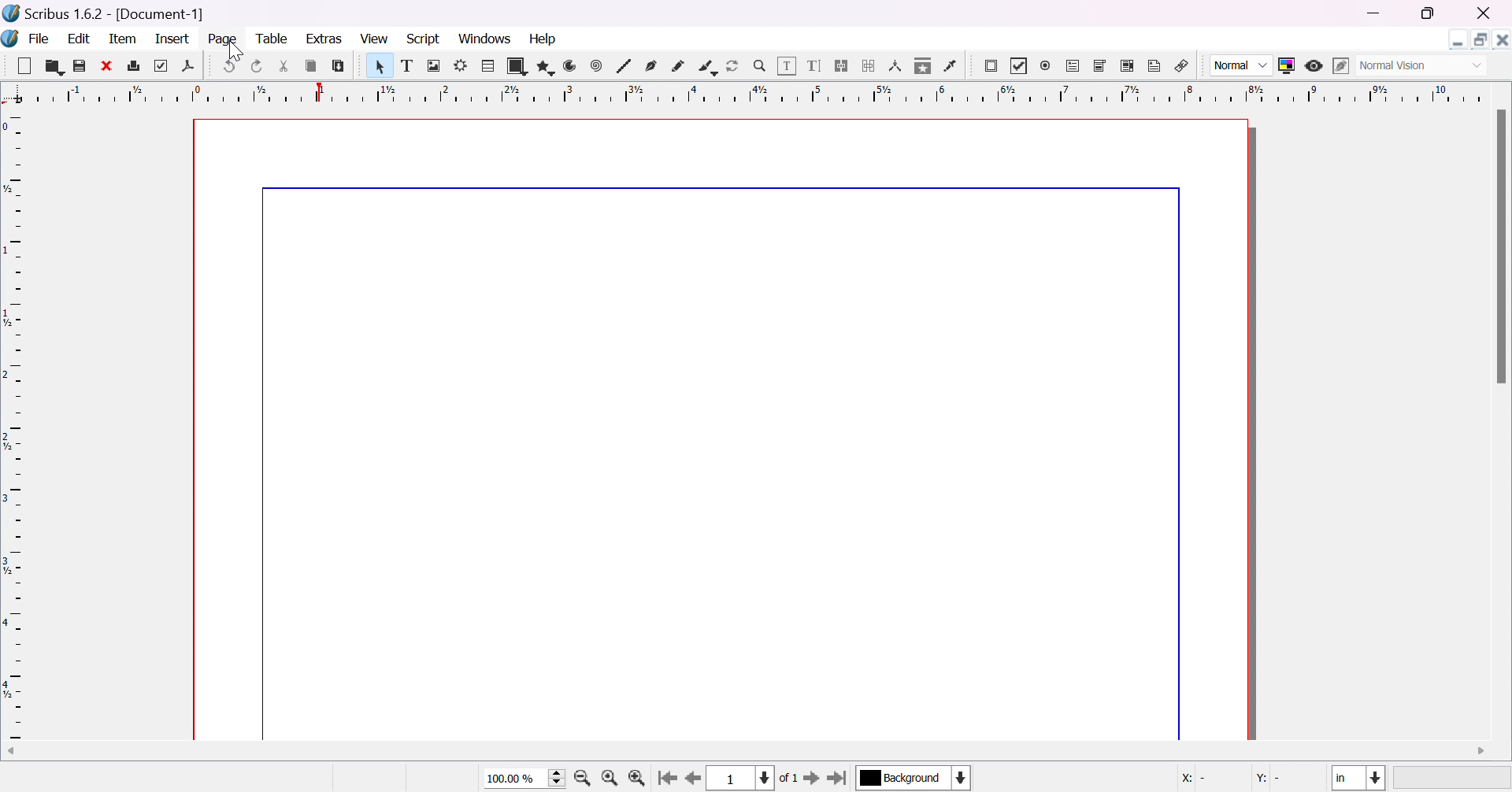 The height and width of the screenshot is (792, 1512). What do you see at coordinates (330, 39) in the screenshot?
I see `extras` at bounding box center [330, 39].